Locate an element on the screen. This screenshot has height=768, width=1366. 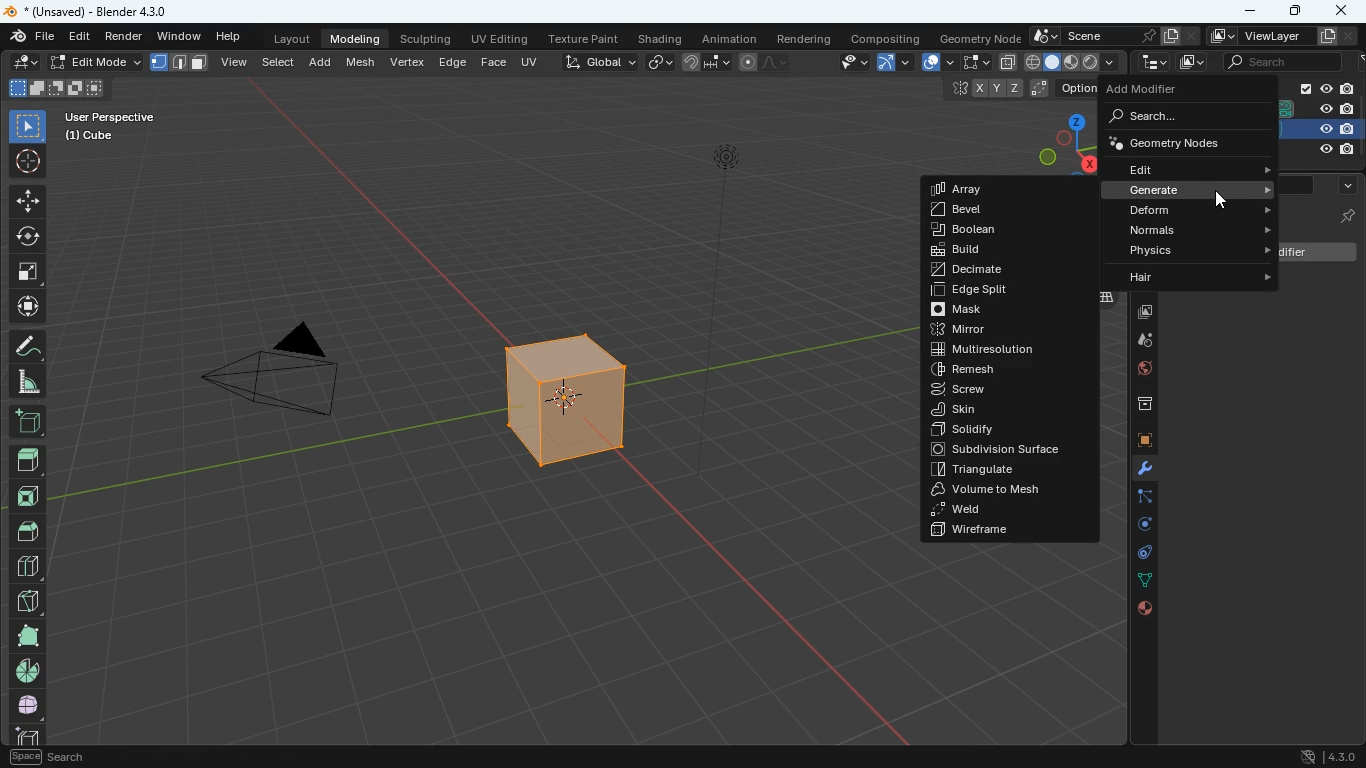
tecch is located at coordinates (1152, 62).